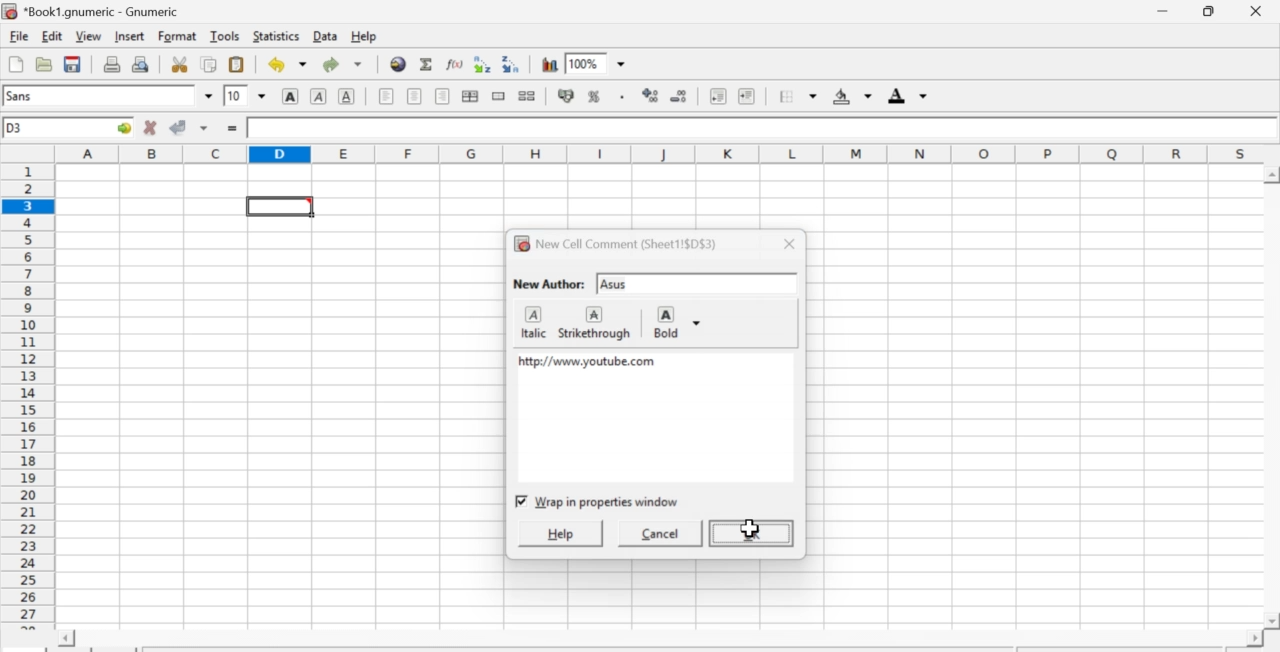 This screenshot has width=1280, height=652. I want to click on down, so click(207, 96).